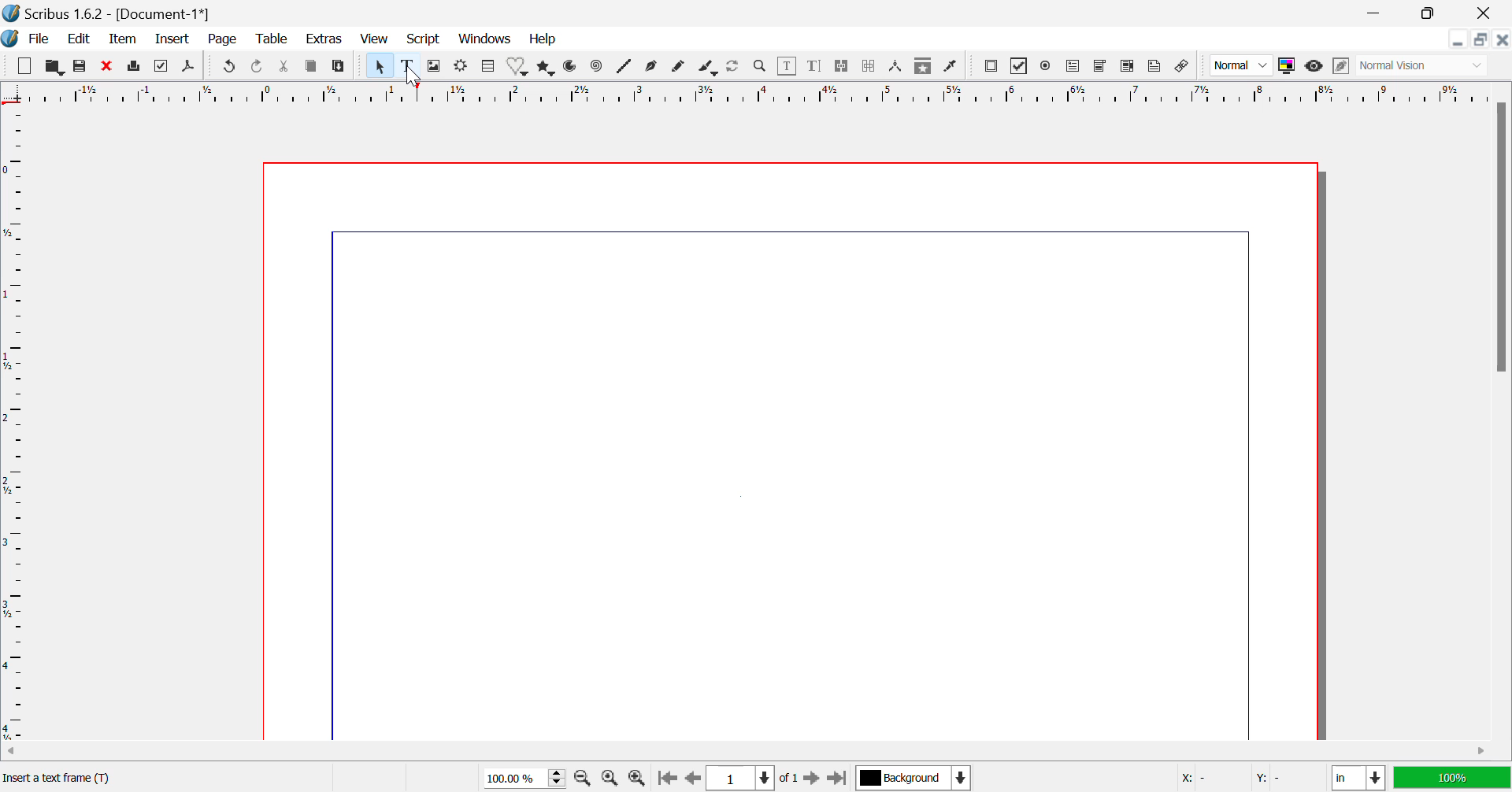 This screenshot has width=1512, height=792. Describe the element at coordinates (836, 777) in the screenshot. I see `Last Page` at that location.